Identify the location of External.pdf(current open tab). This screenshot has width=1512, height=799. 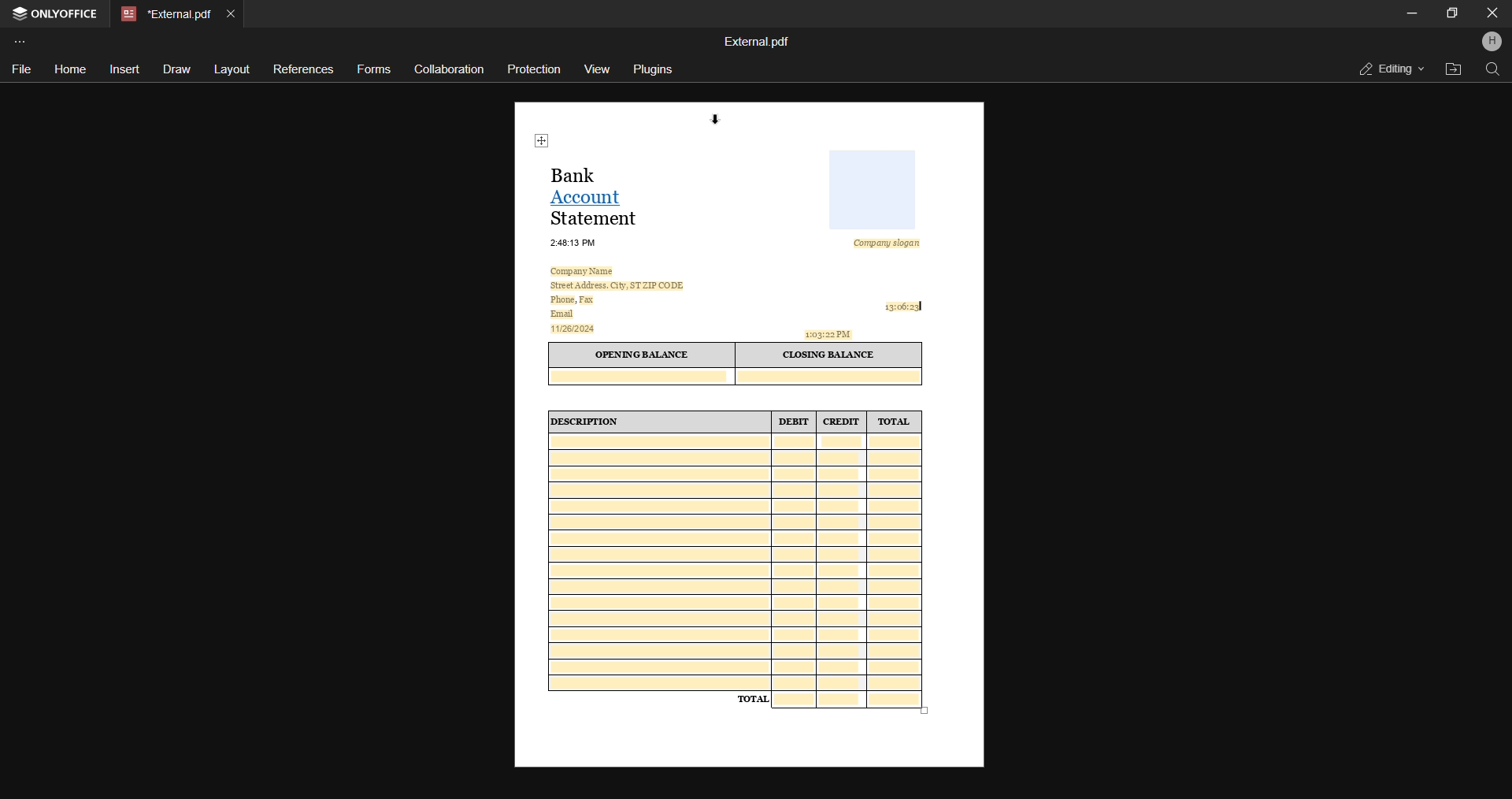
(164, 14).